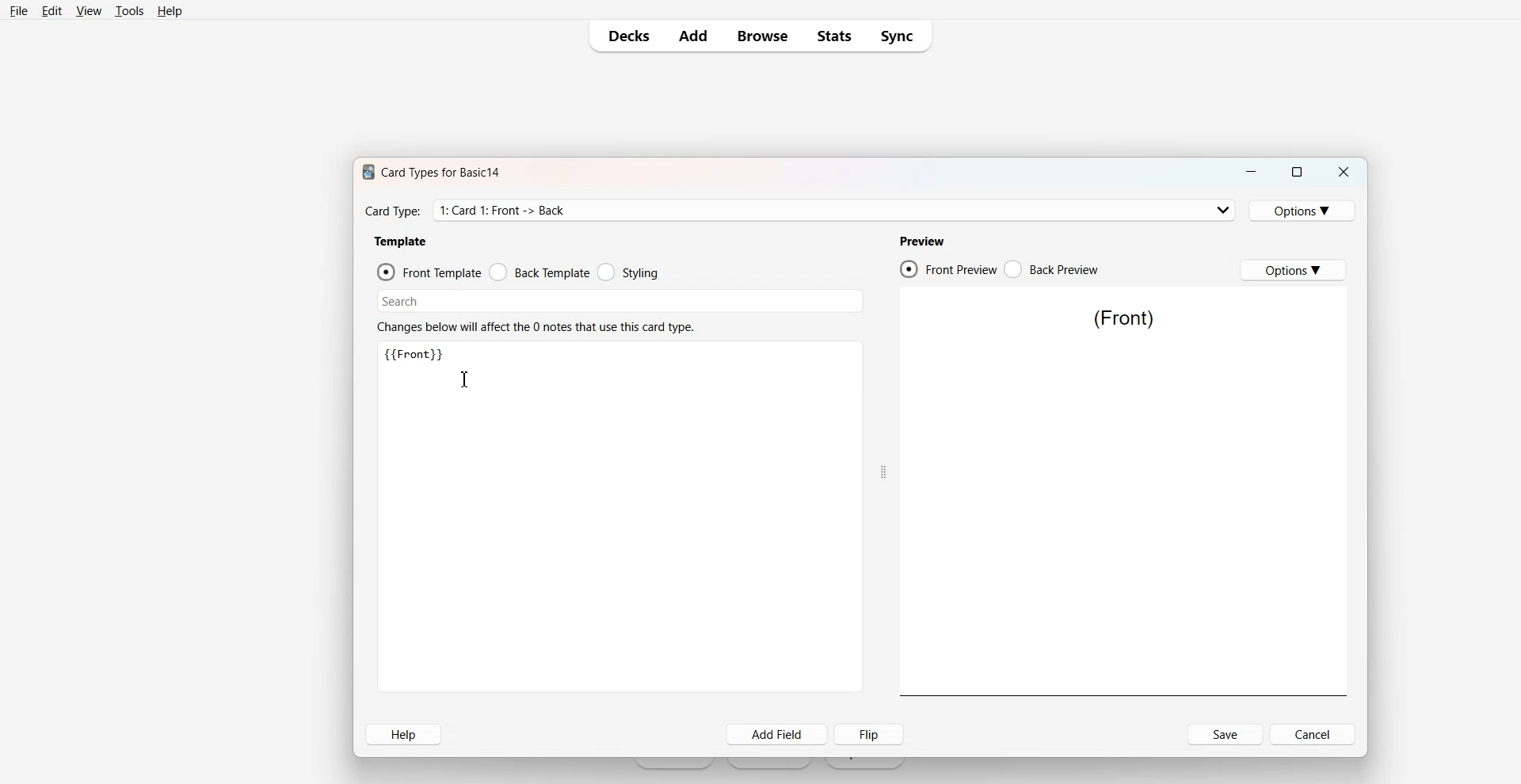  Describe the element at coordinates (675, 764) in the screenshot. I see `Get Started` at that location.